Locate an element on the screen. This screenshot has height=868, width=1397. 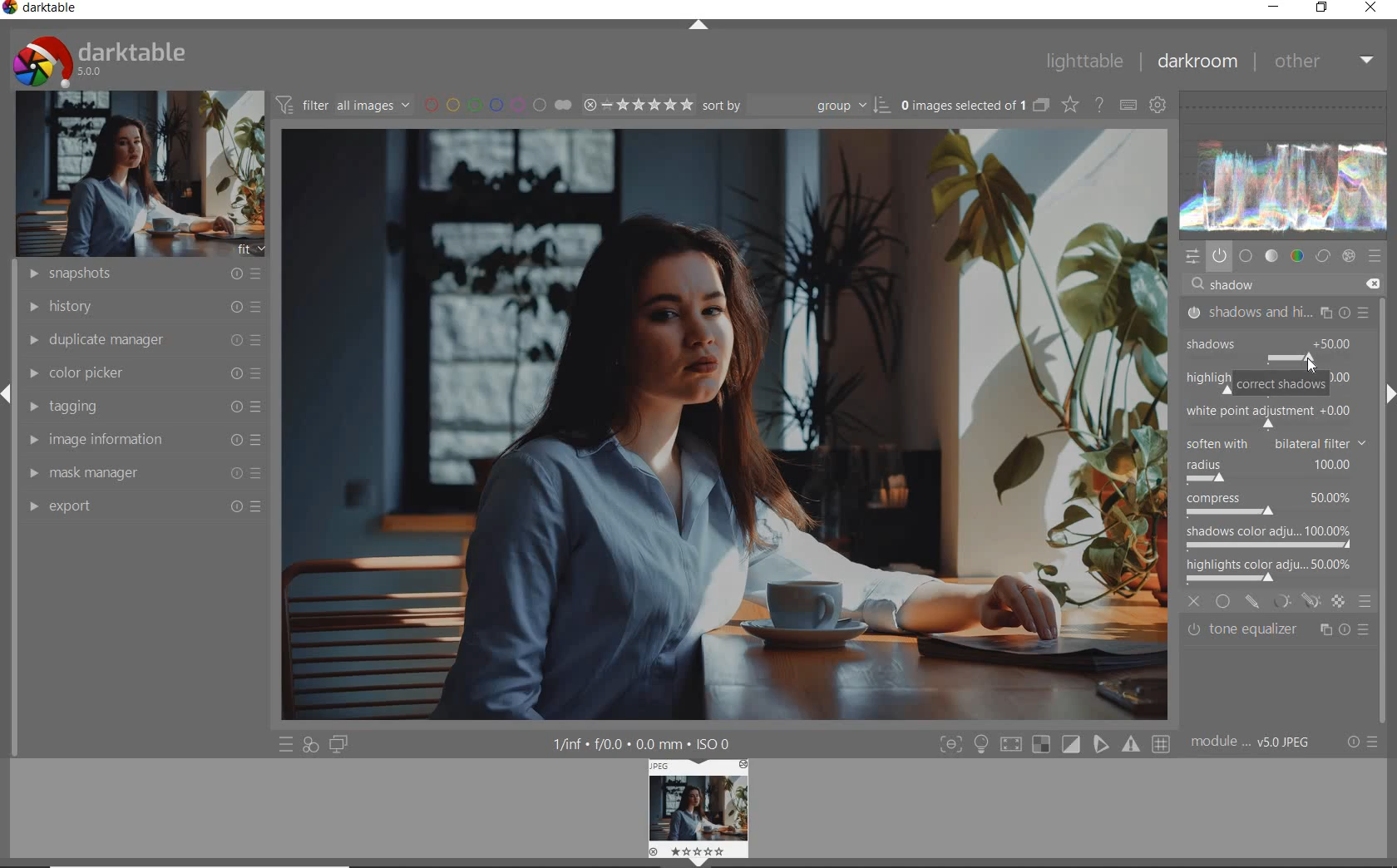
close is located at coordinates (1194, 599).